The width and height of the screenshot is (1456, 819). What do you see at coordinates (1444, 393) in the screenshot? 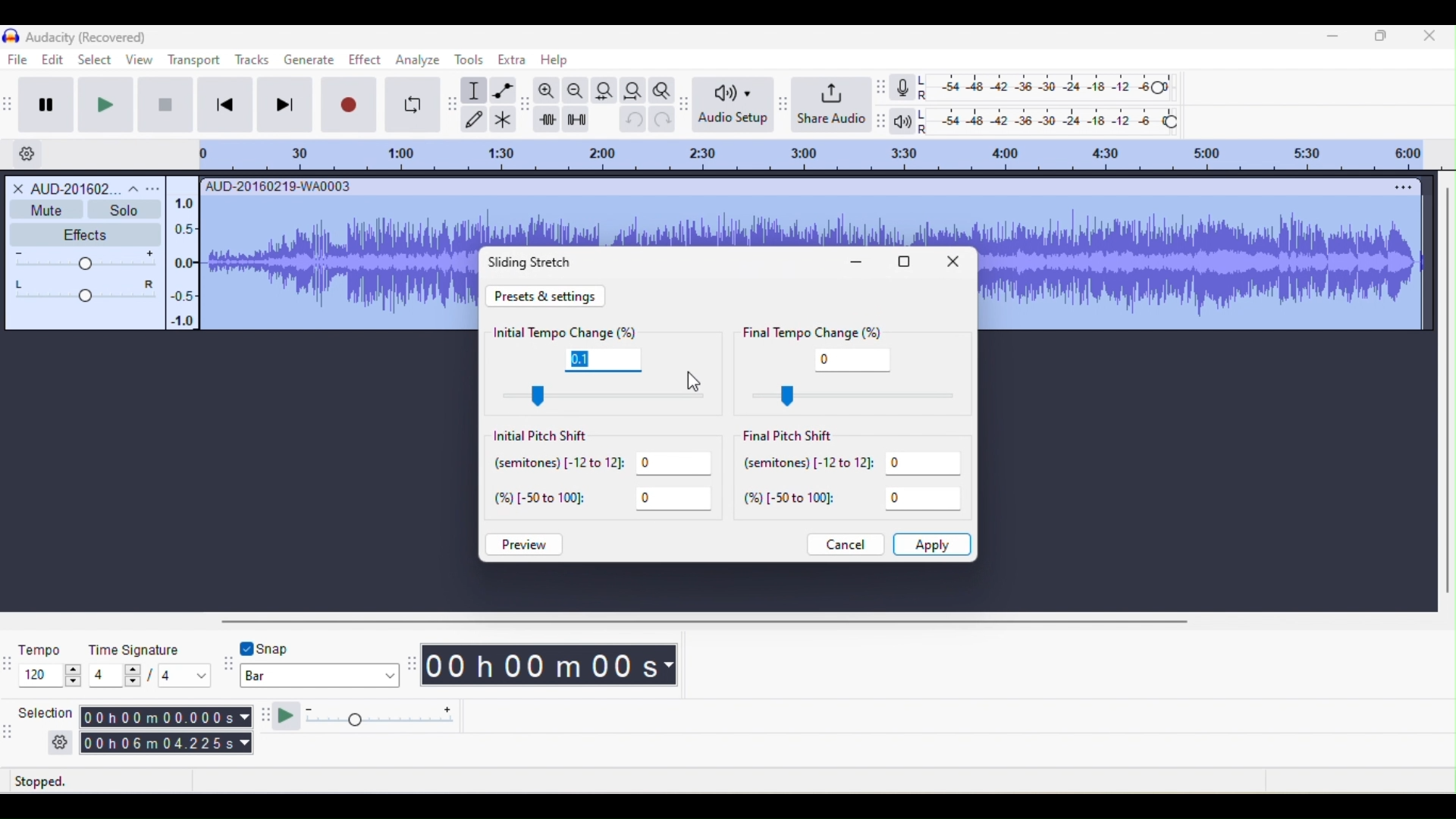
I see `vertical scroll bar` at bounding box center [1444, 393].